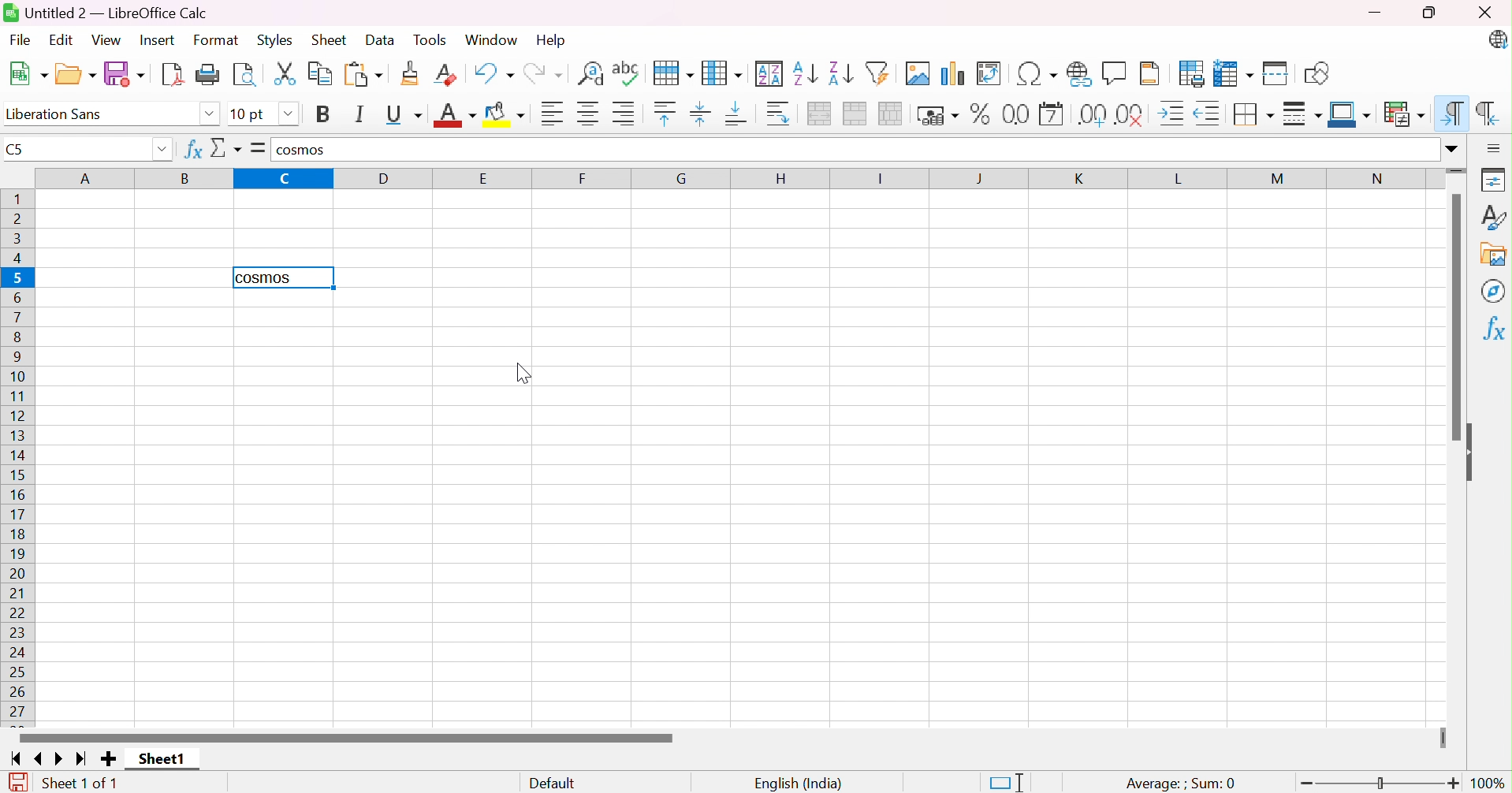  I want to click on 10 pt, so click(248, 115).